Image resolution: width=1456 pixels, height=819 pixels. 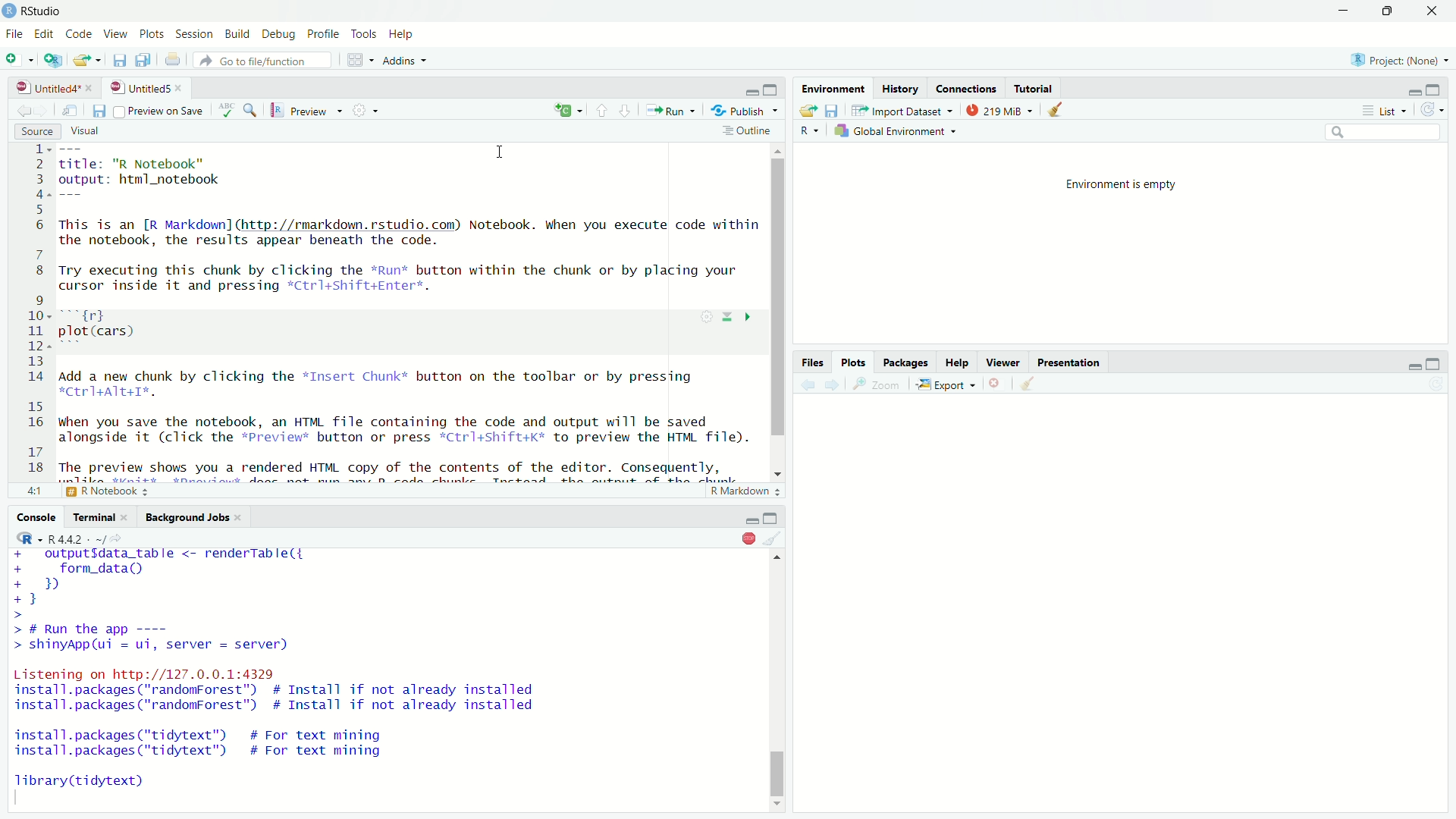 I want to click on Show in new window, so click(x=71, y=109).